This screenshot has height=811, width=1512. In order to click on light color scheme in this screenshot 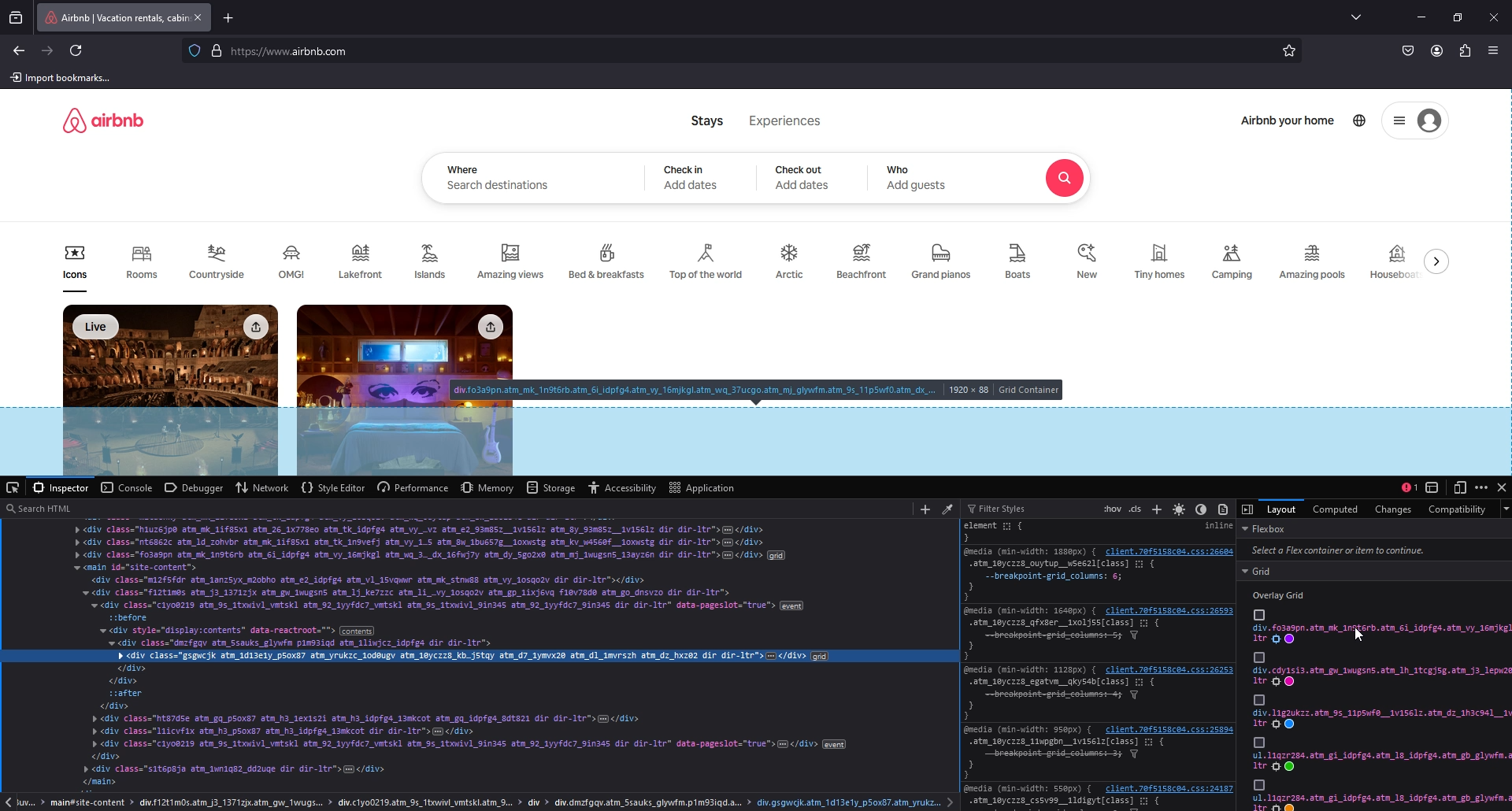, I will do `click(1180, 508)`.